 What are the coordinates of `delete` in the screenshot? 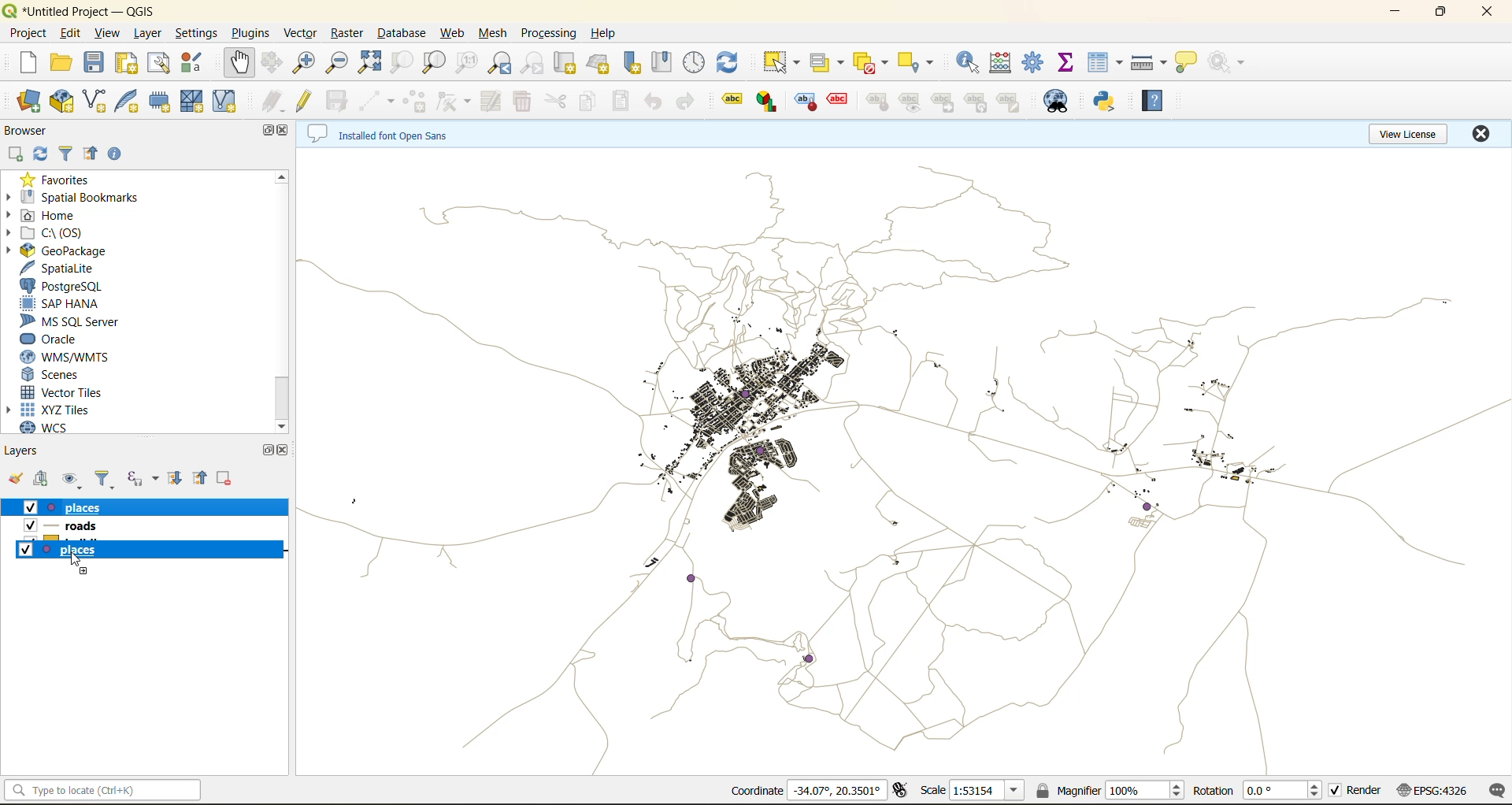 It's located at (522, 103).